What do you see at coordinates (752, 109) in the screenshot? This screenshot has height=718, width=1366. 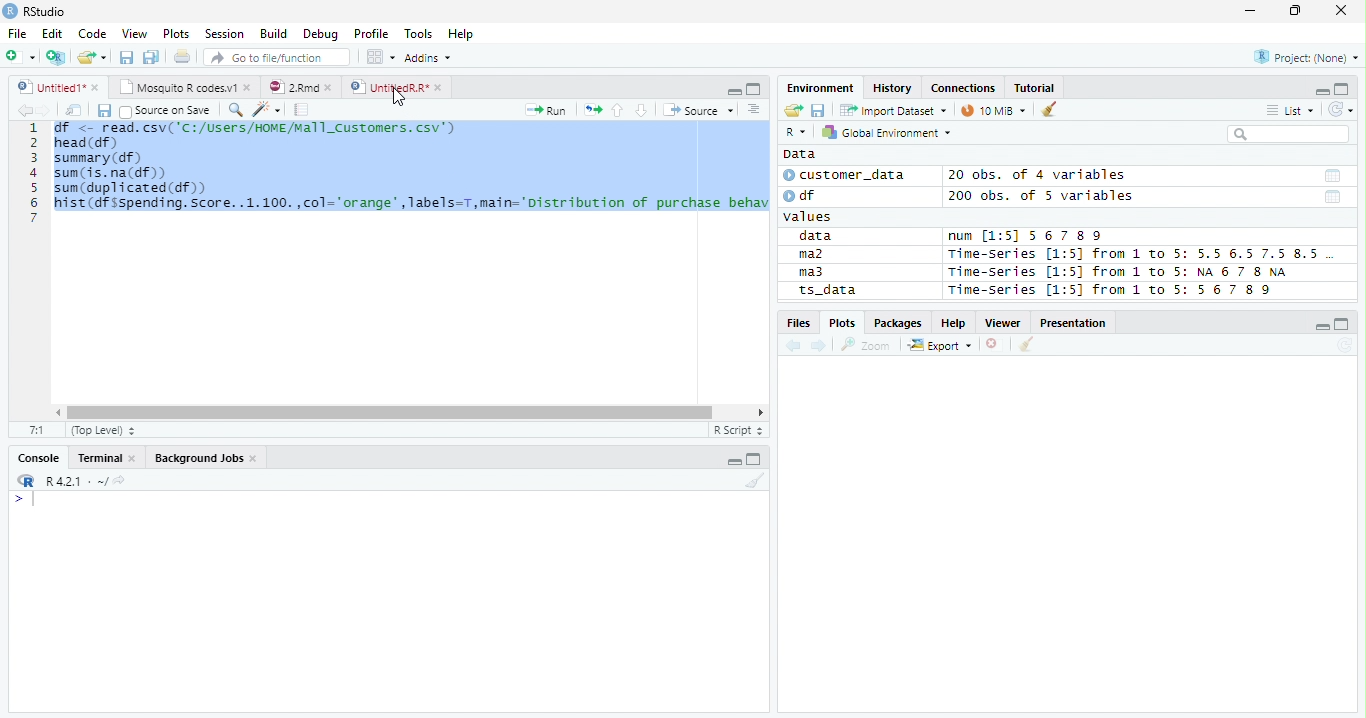 I see `Show document outline` at bounding box center [752, 109].